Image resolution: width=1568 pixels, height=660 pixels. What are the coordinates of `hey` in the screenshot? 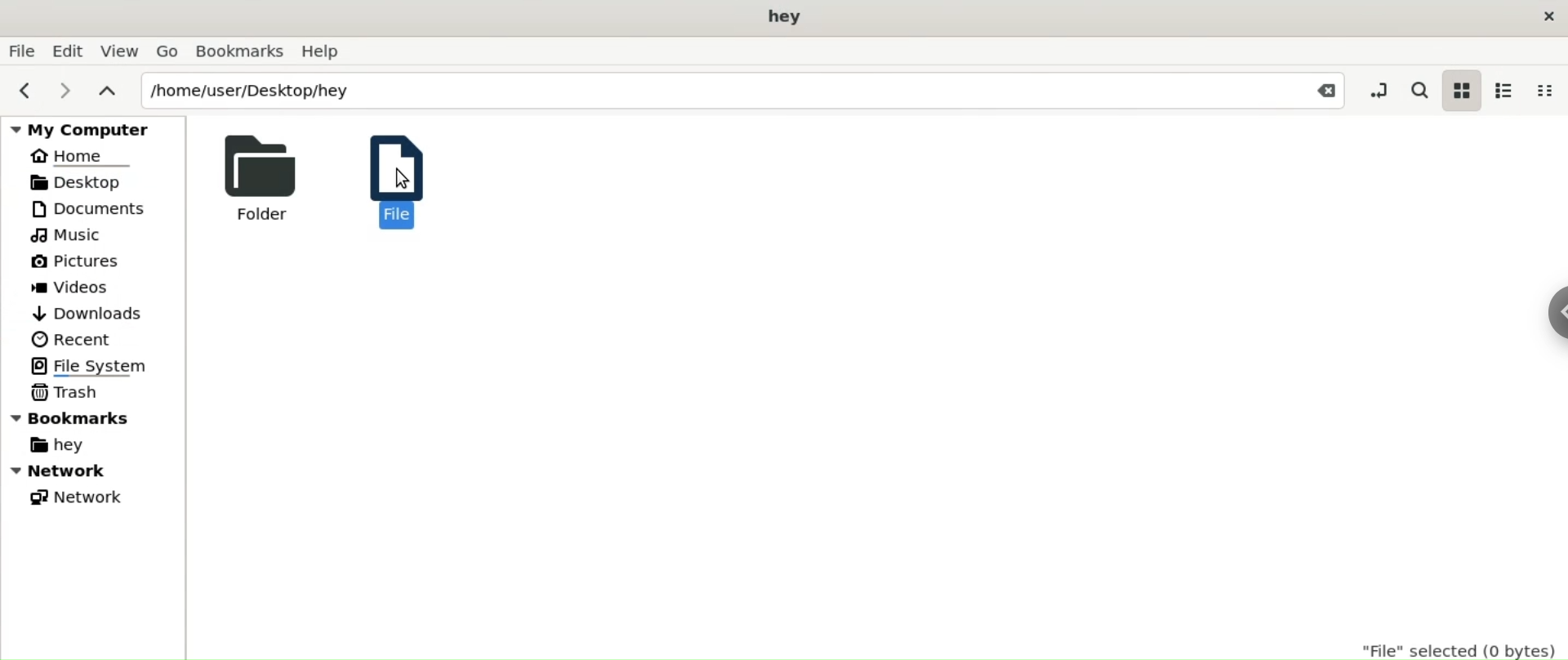 It's located at (51, 444).